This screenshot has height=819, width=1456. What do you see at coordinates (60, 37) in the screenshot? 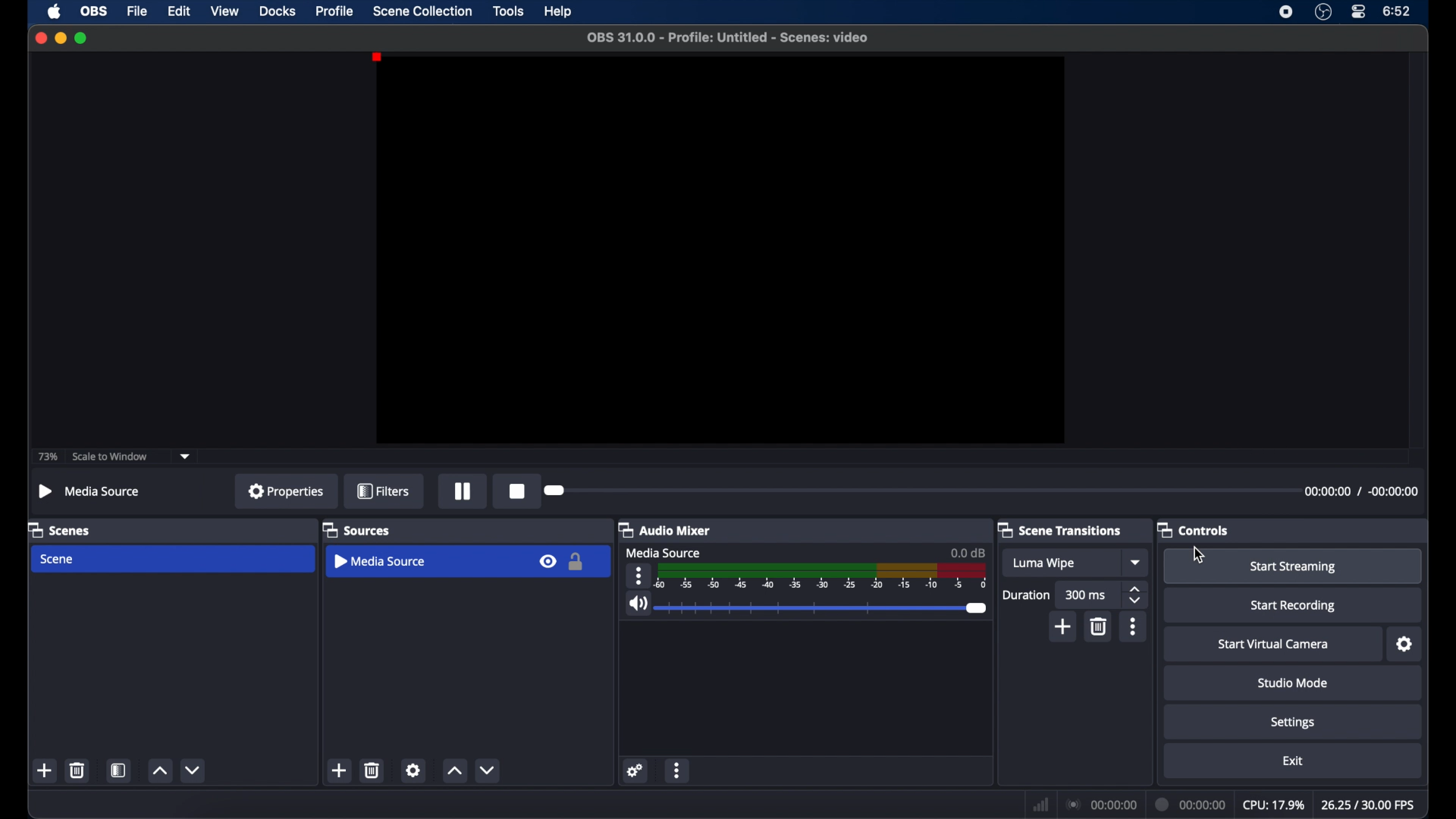
I see `minimize` at bounding box center [60, 37].